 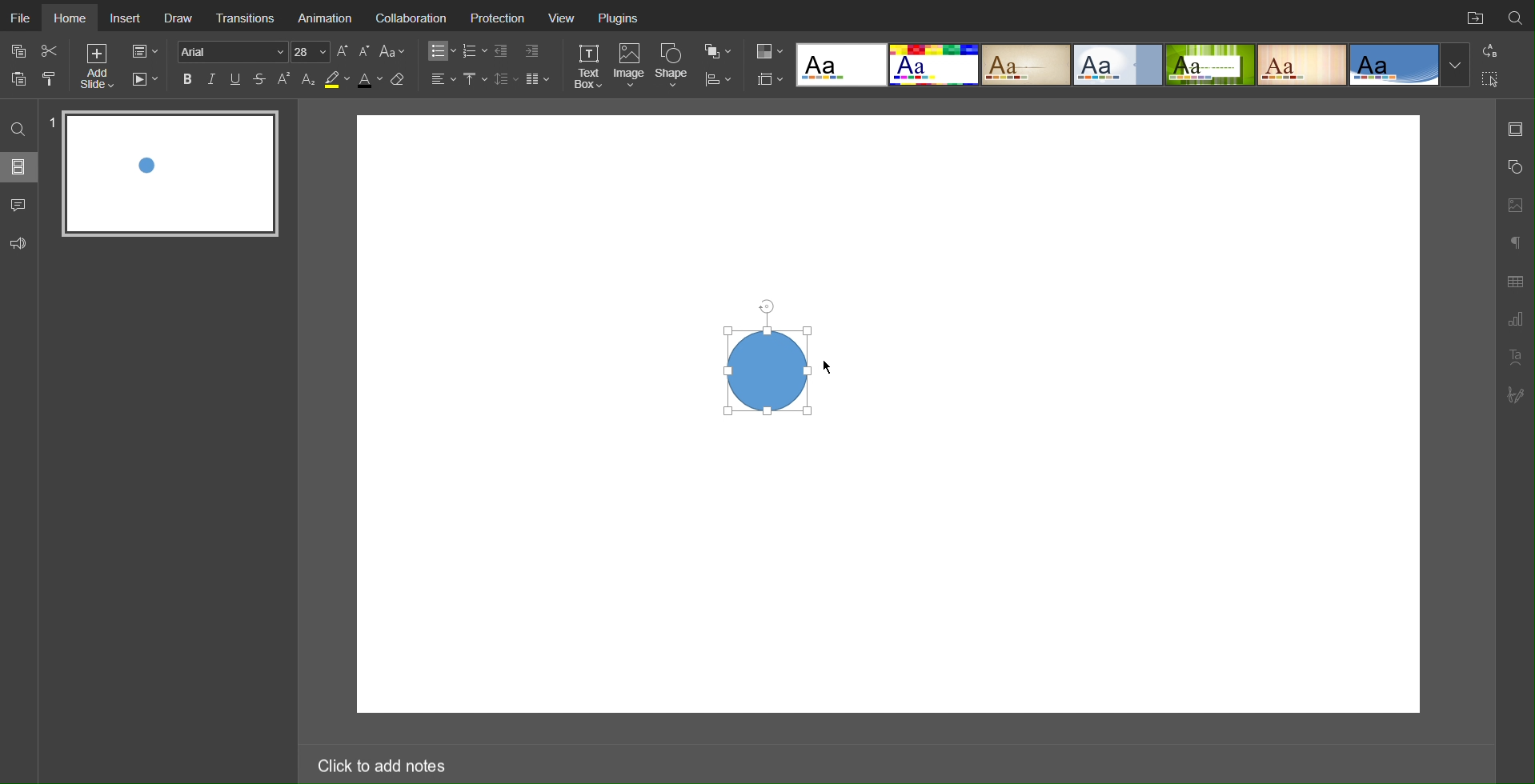 What do you see at coordinates (401, 80) in the screenshot?
I see `Erase` at bounding box center [401, 80].